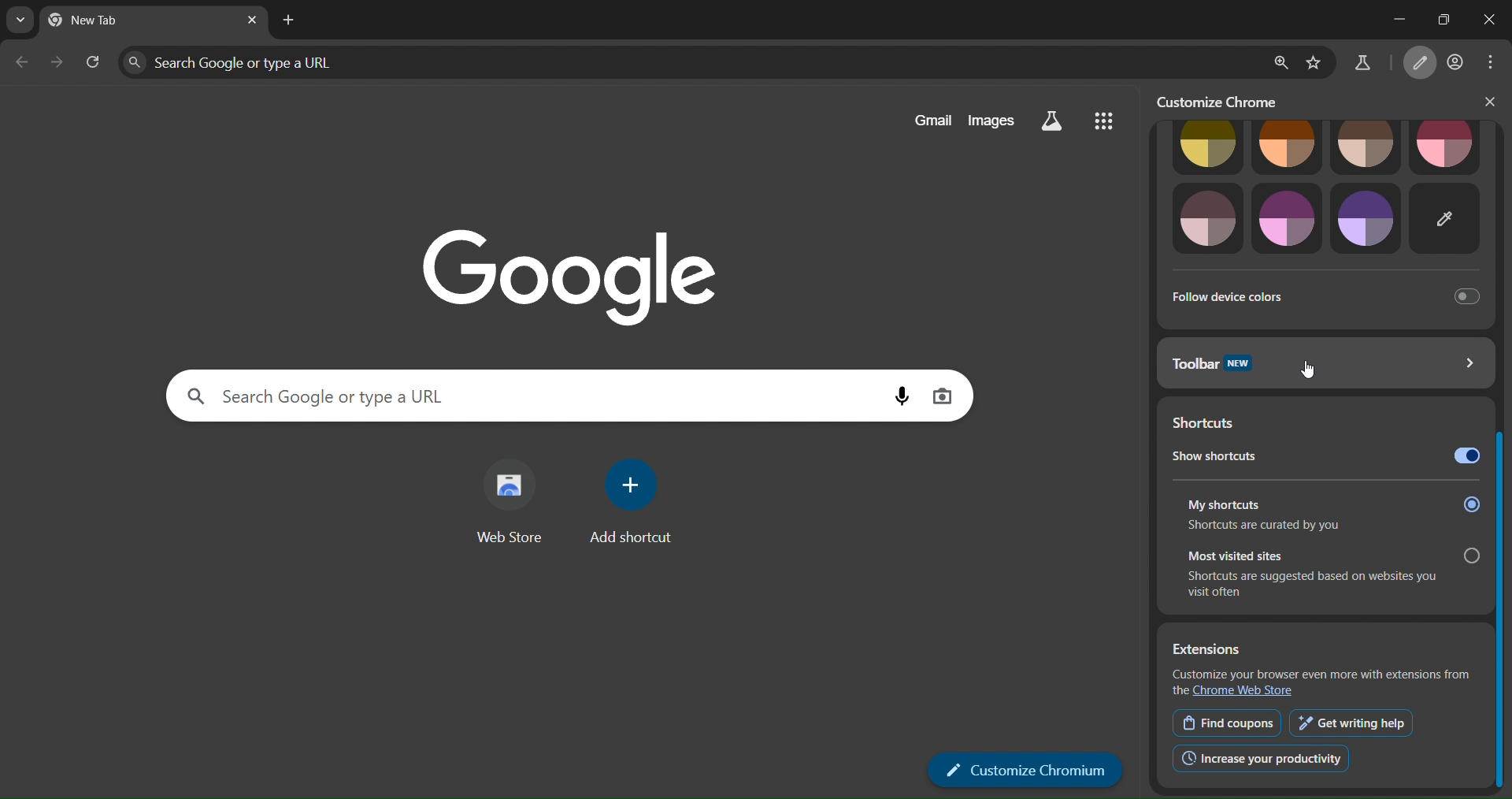 Image resolution: width=1512 pixels, height=799 pixels. I want to click on Google logo, so click(566, 273).